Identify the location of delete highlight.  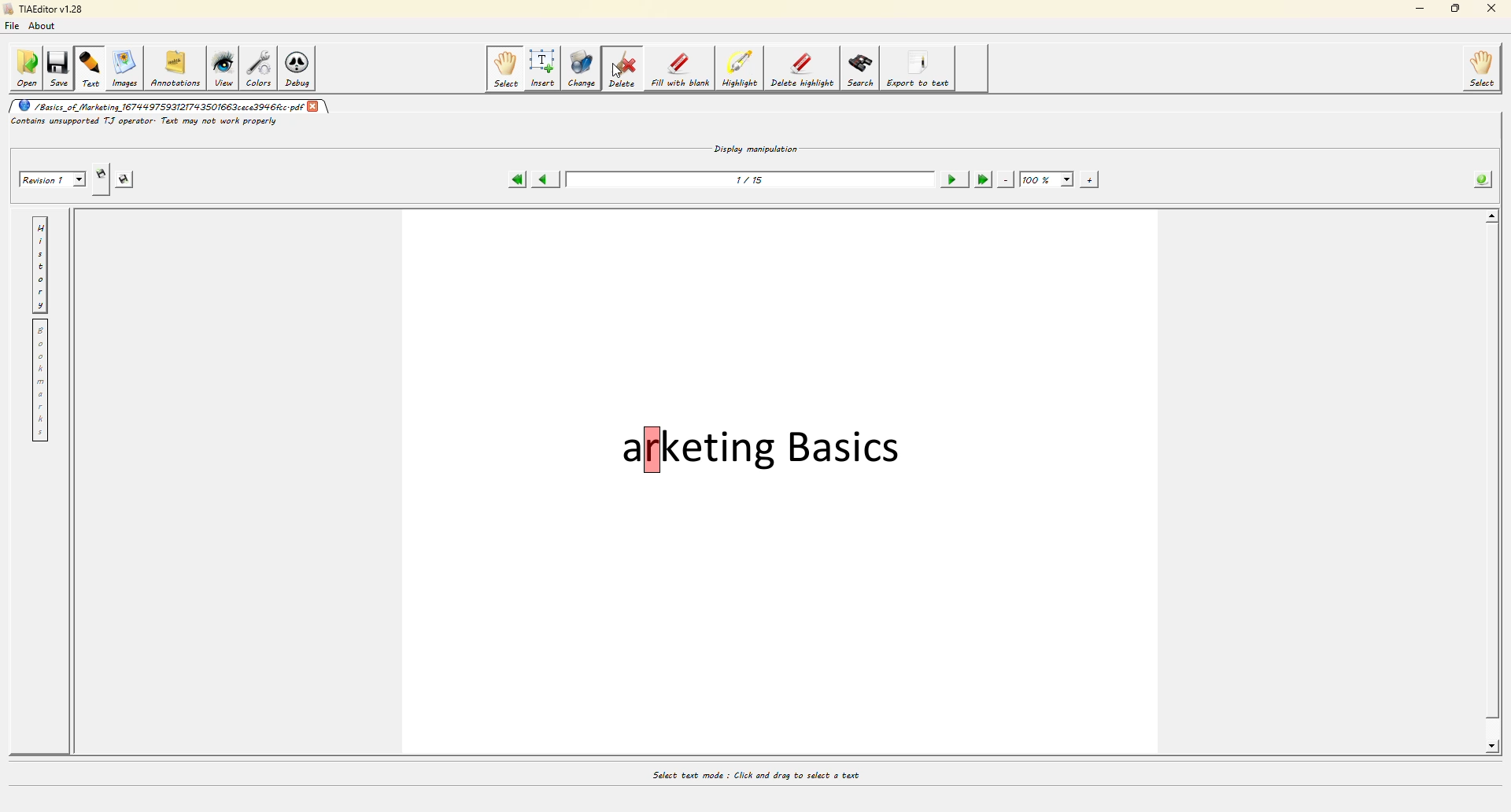
(801, 69).